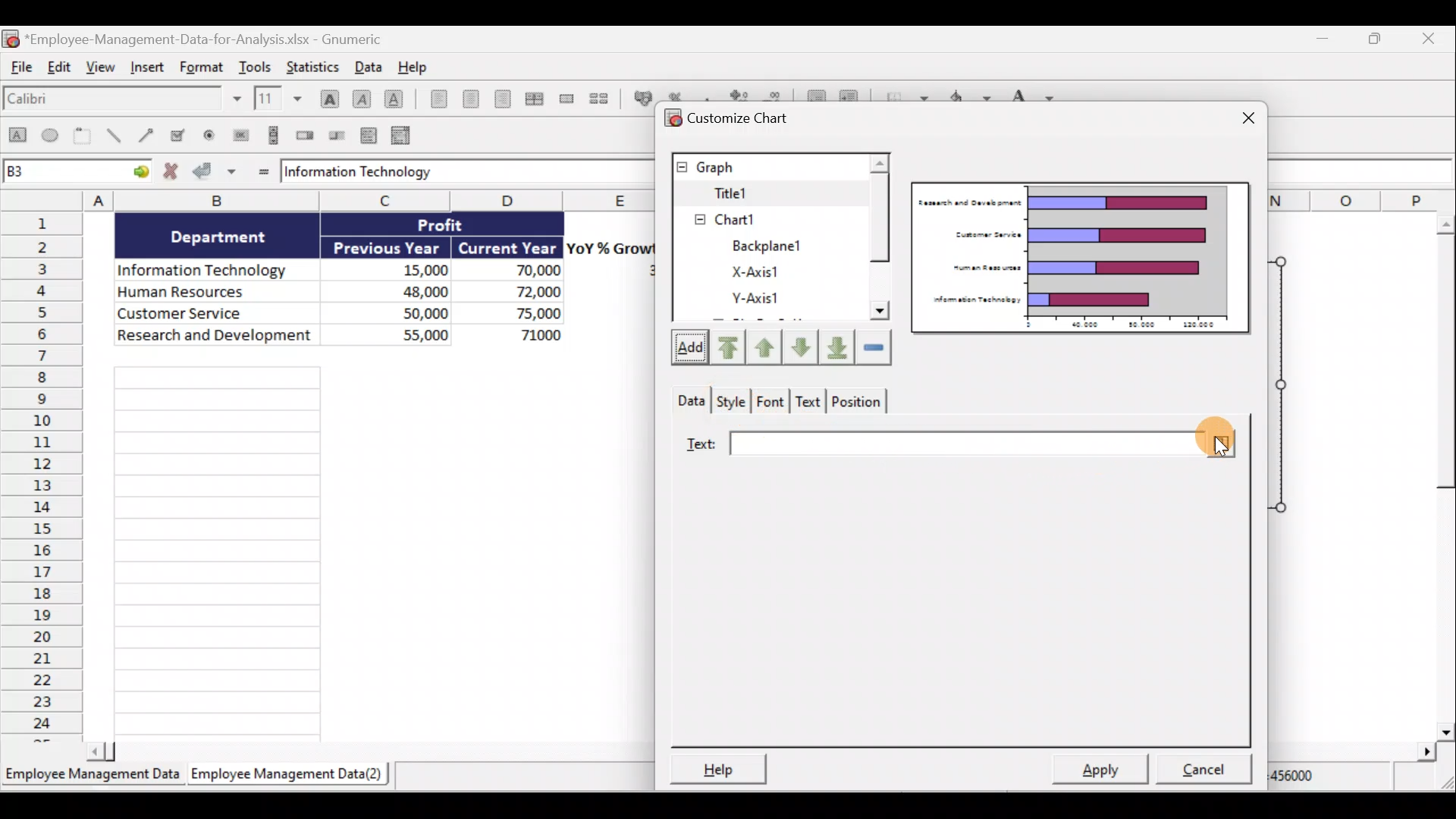 The width and height of the screenshot is (1456, 819). Describe the element at coordinates (761, 193) in the screenshot. I see `Chart` at that location.